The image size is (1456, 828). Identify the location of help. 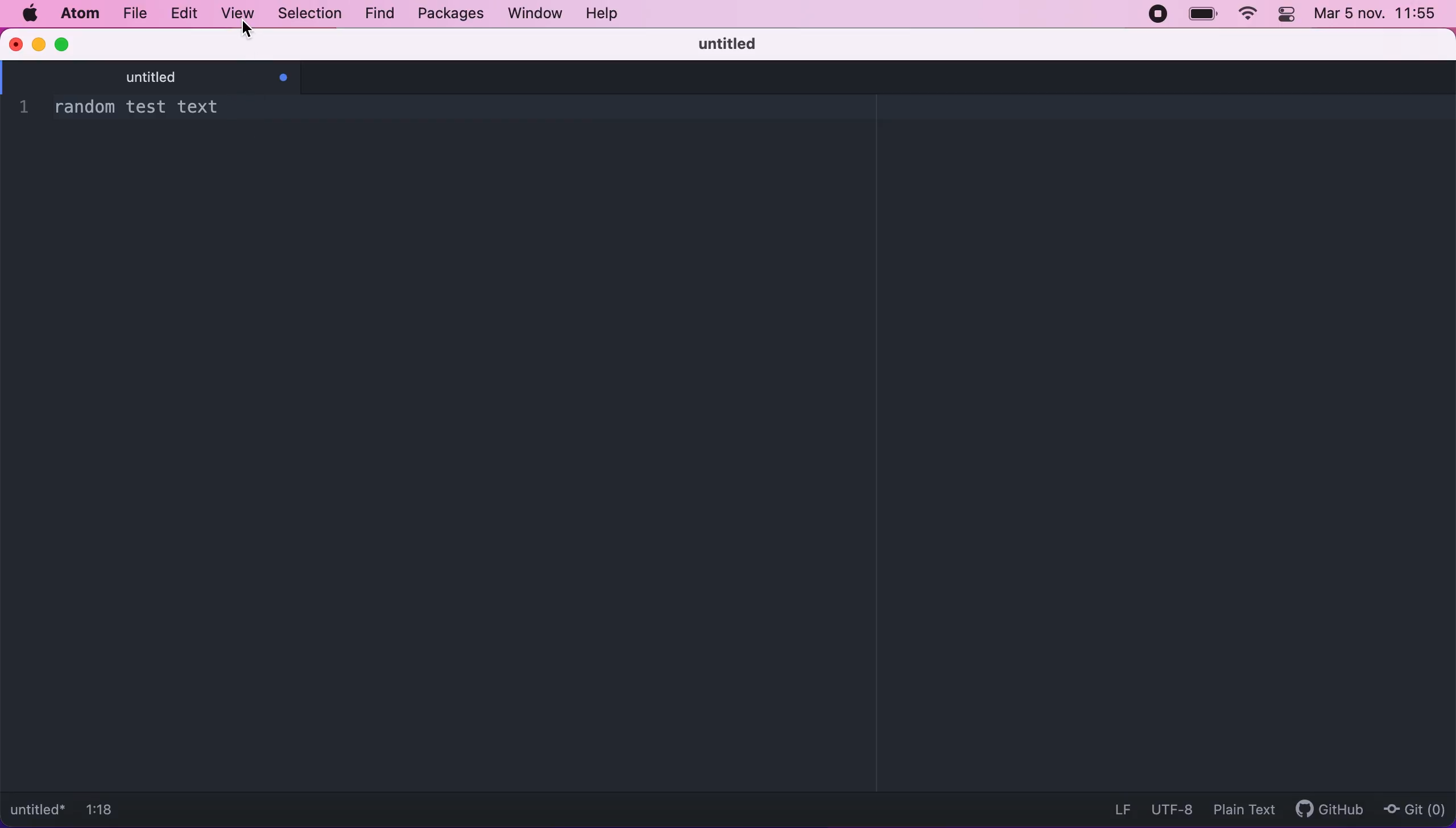
(604, 13).